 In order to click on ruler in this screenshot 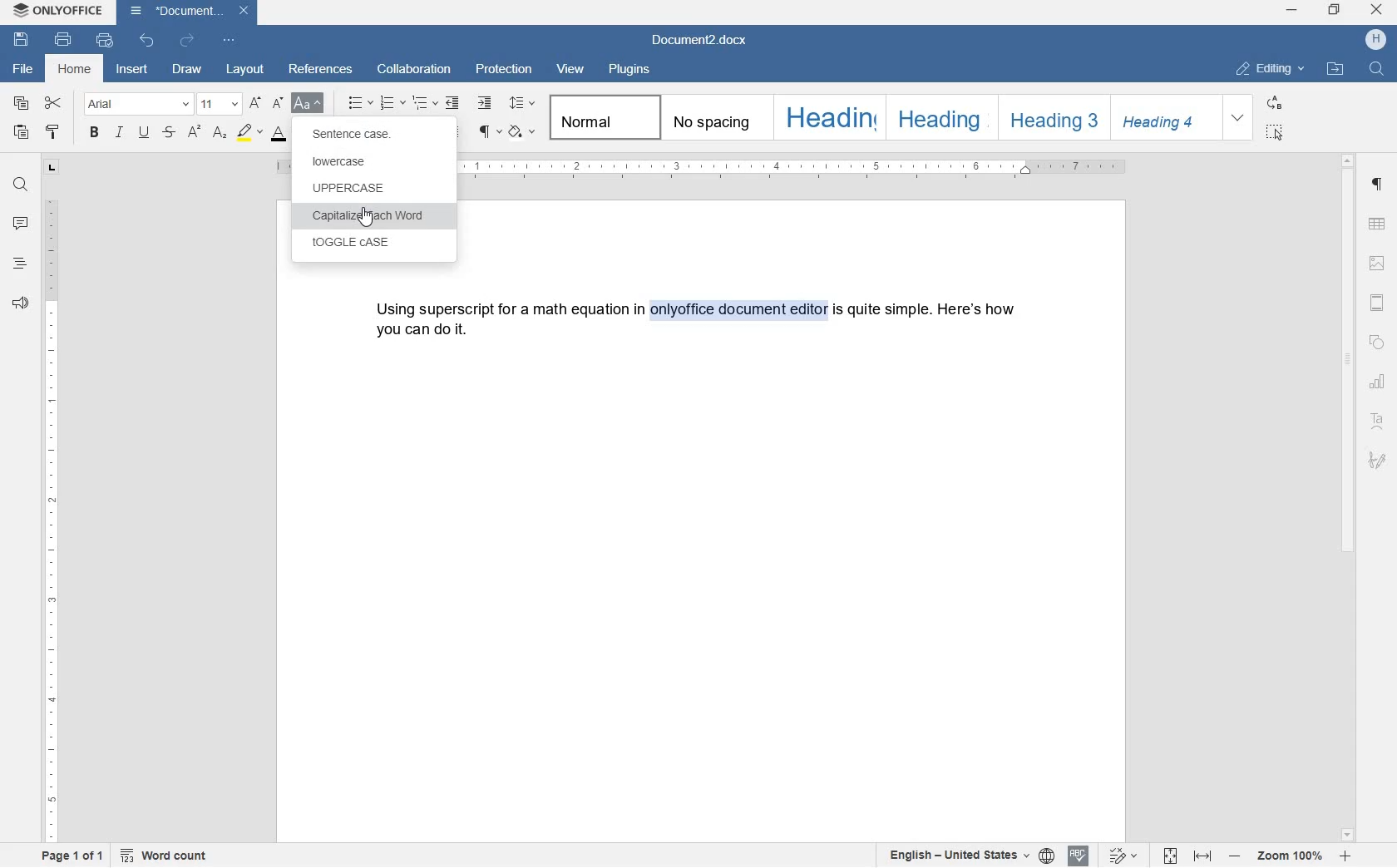, I will do `click(52, 523)`.